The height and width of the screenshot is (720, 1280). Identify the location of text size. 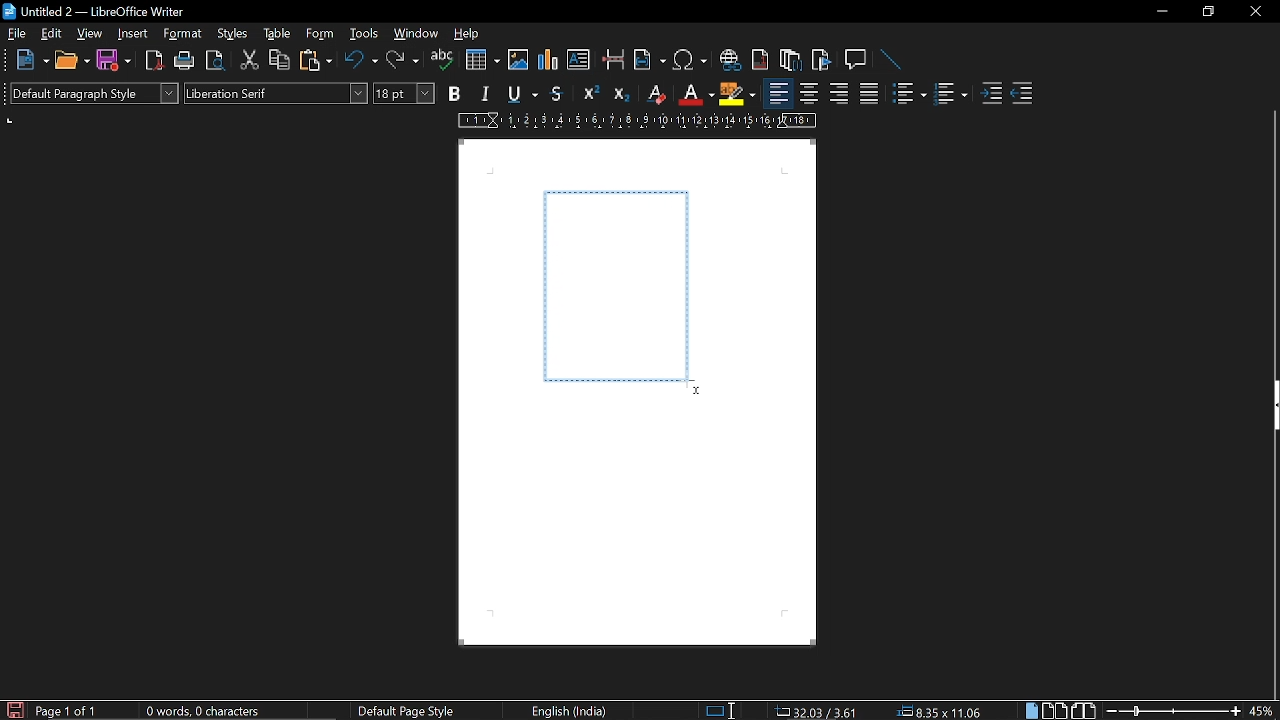
(404, 94).